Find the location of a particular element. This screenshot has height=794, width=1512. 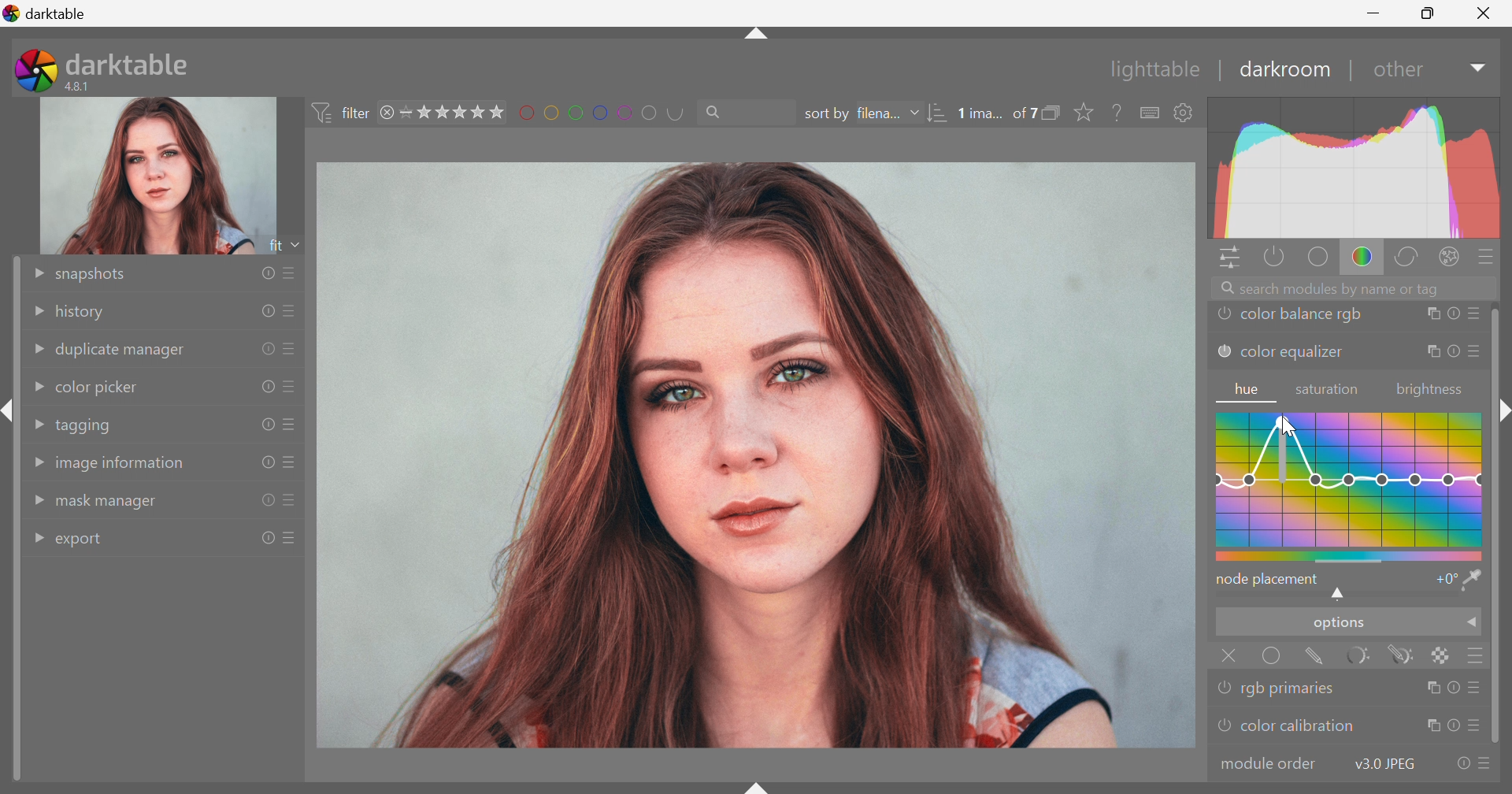

filter is located at coordinates (339, 110).